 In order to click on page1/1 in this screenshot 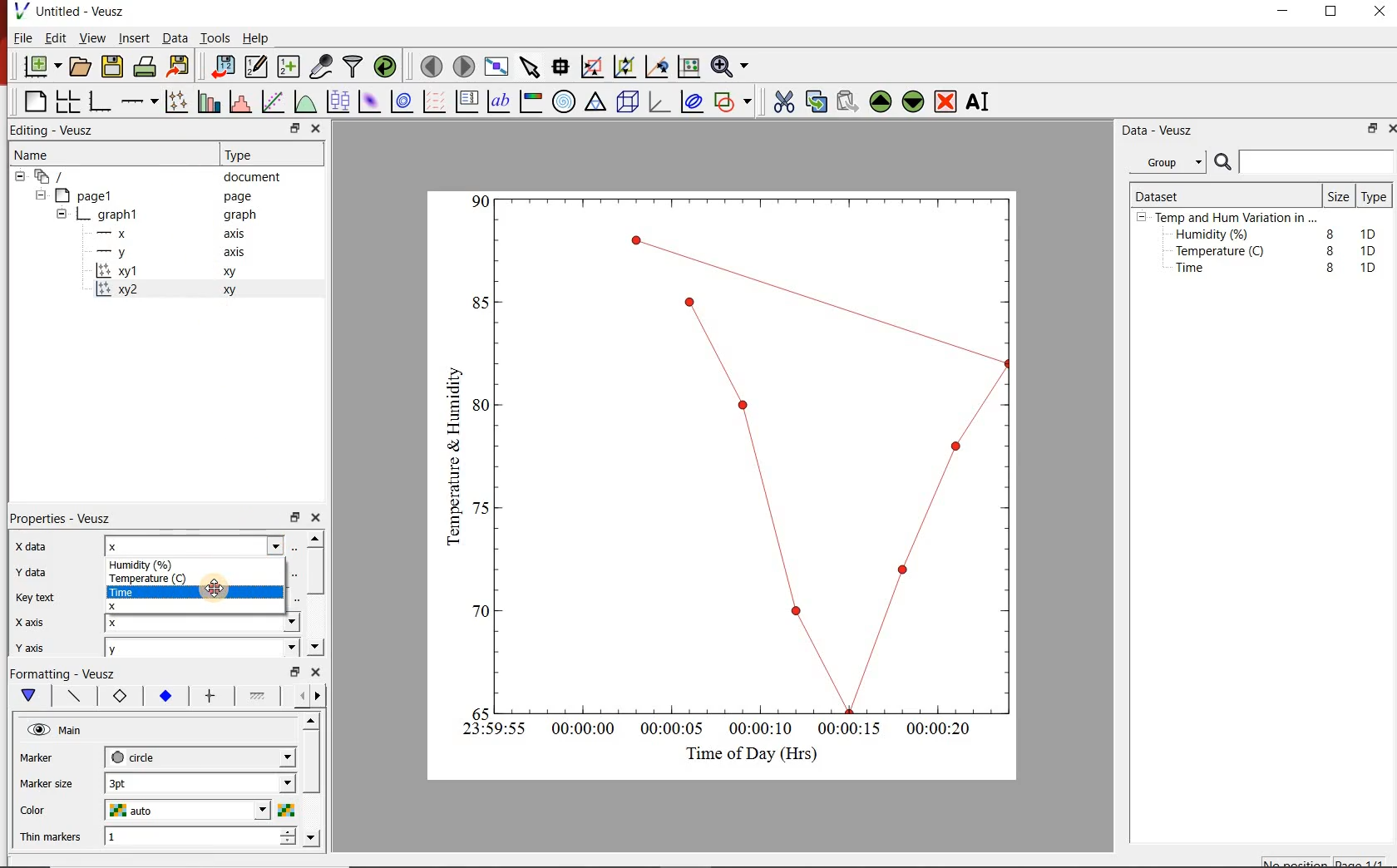, I will do `click(1365, 861)`.